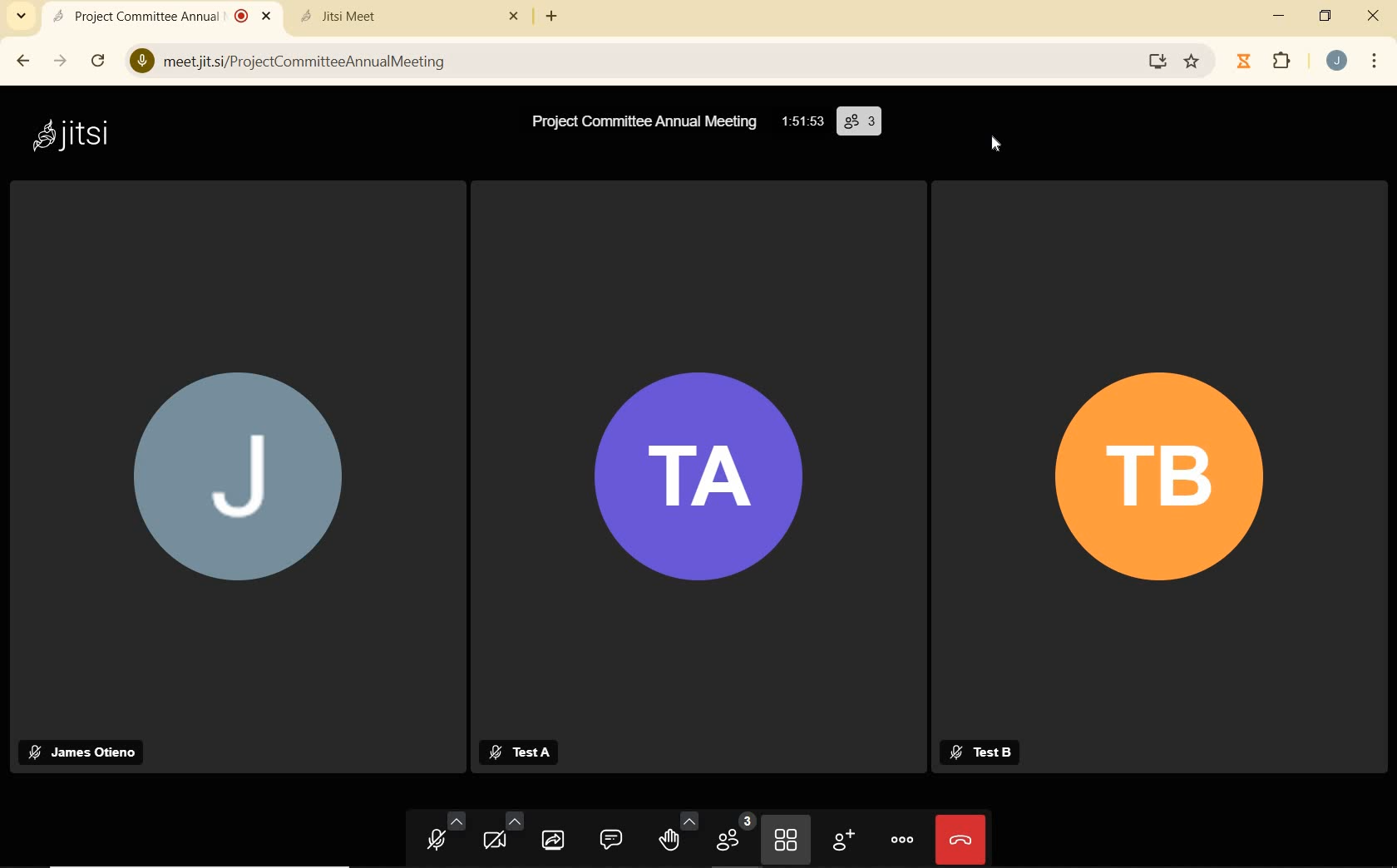 The image size is (1397, 868). What do you see at coordinates (513, 18) in the screenshot?
I see `close` at bounding box center [513, 18].